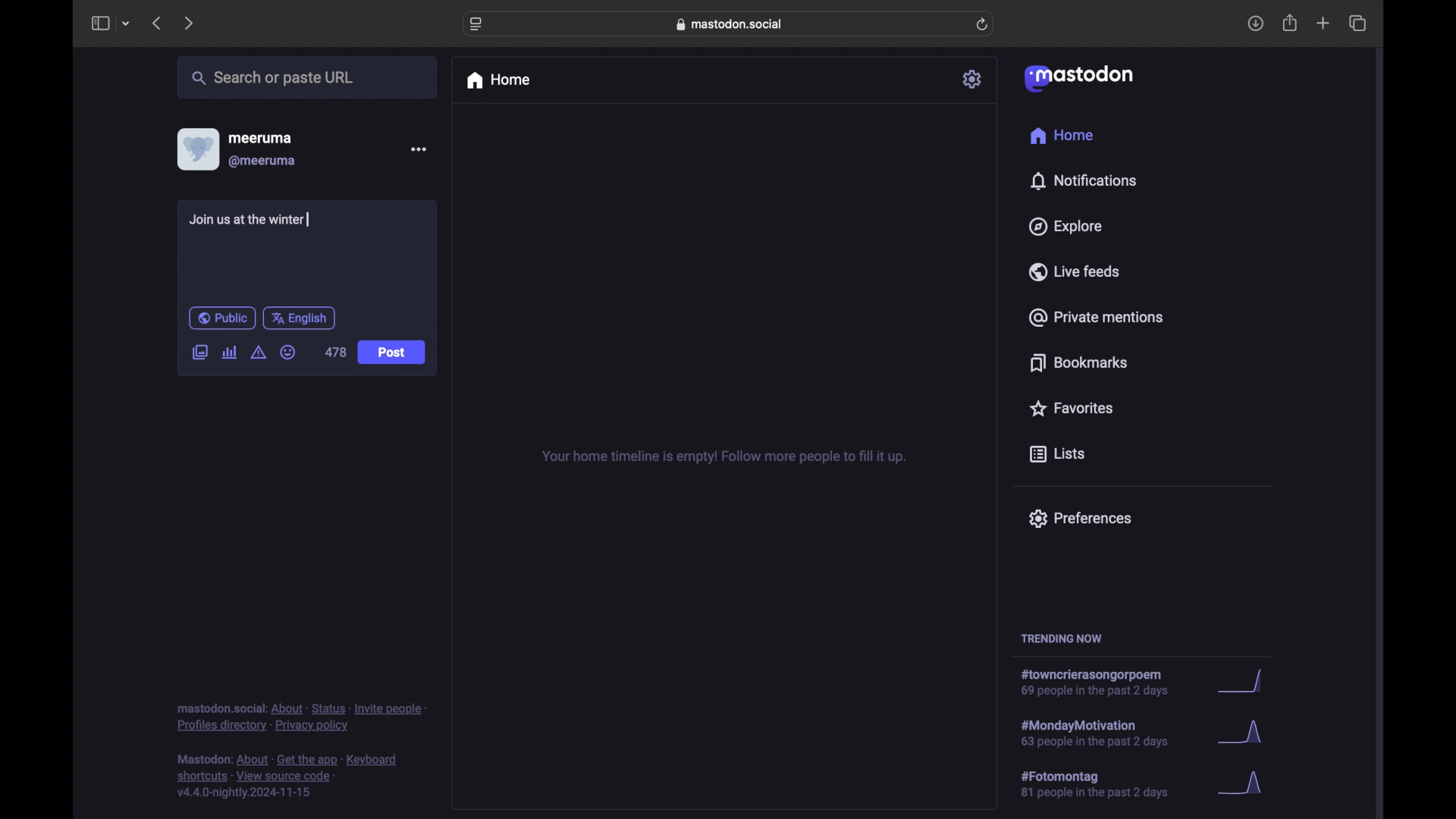 The height and width of the screenshot is (819, 1456). I want to click on home, so click(497, 80).